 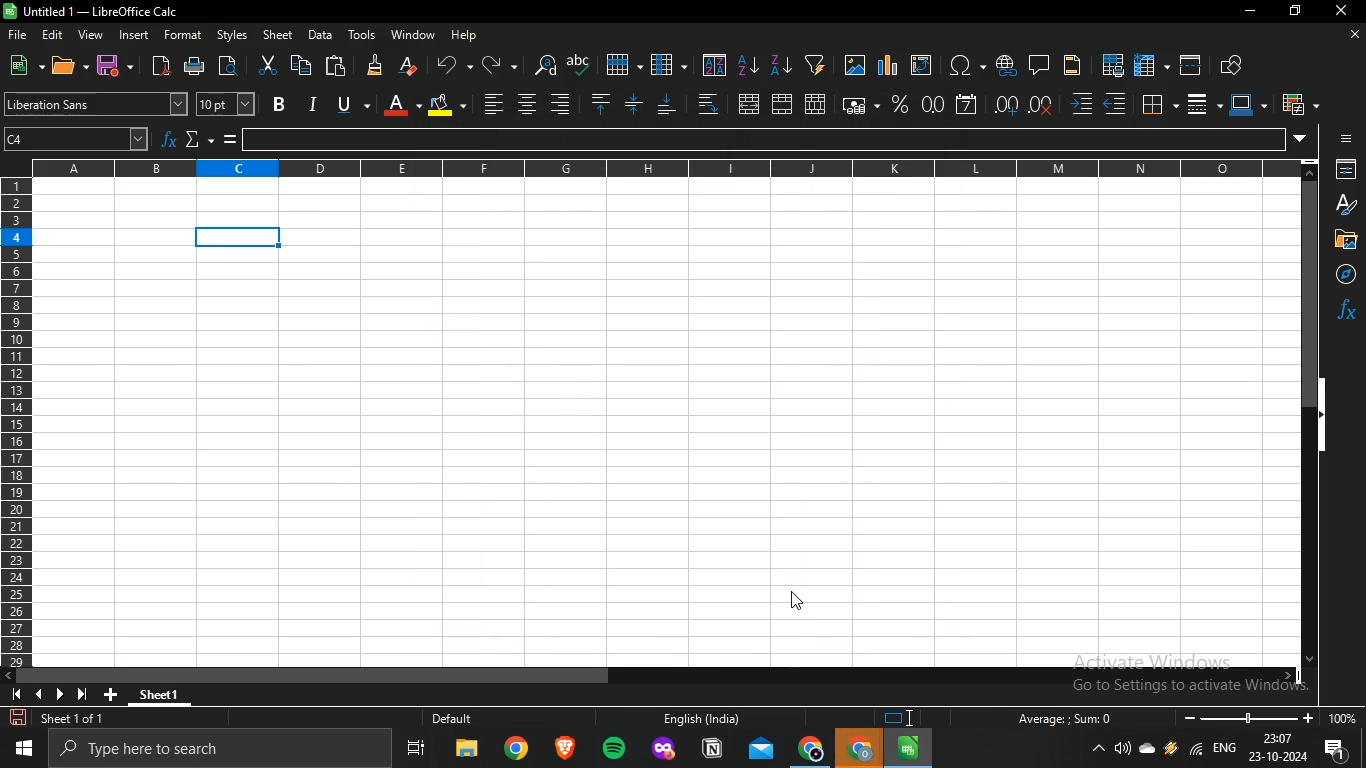 What do you see at coordinates (1310, 422) in the screenshot?
I see `scrollbar` at bounding box center [1310, 422].